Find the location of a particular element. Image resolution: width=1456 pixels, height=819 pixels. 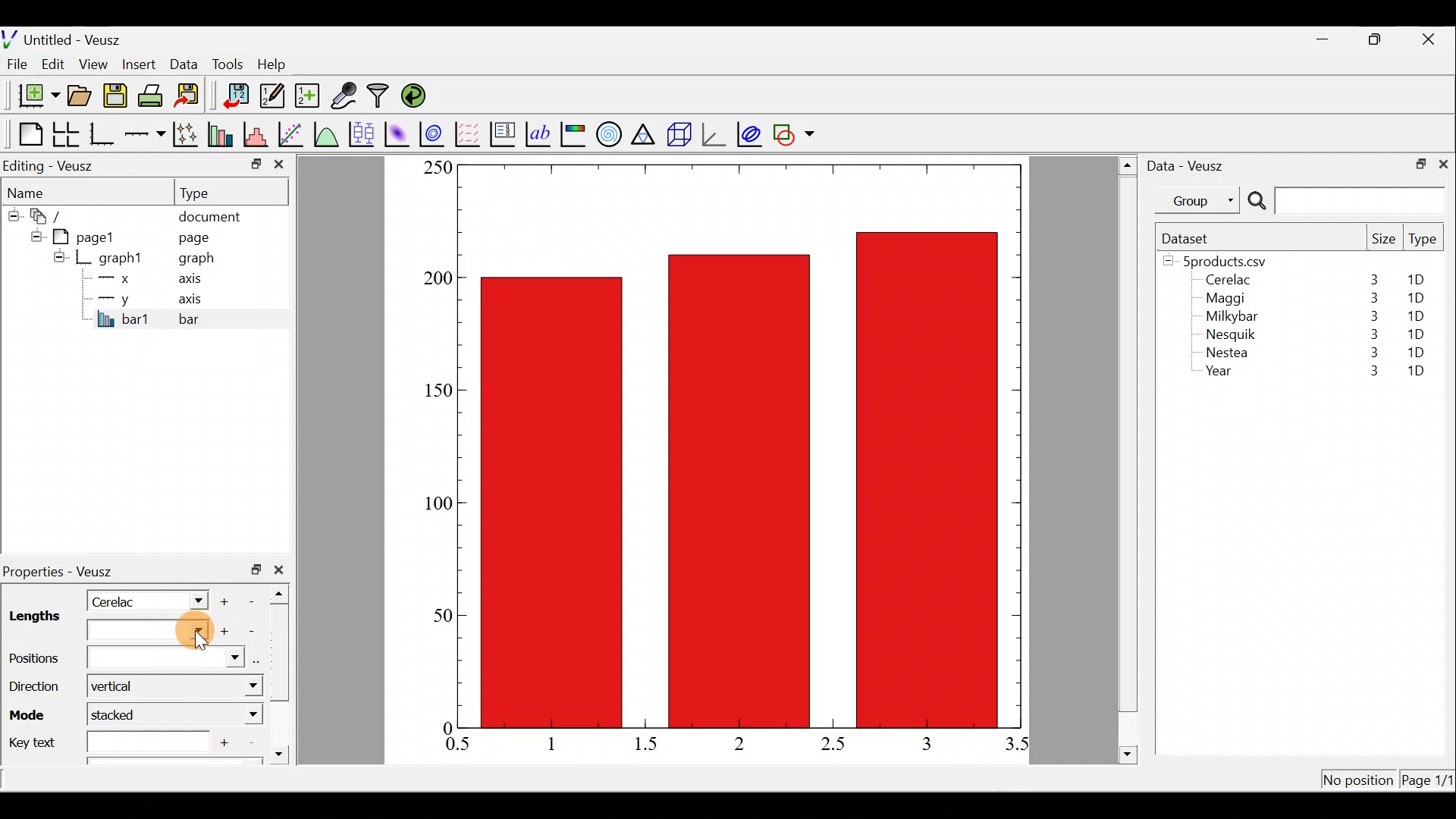

3d graph is located at coordinates (714, 133).